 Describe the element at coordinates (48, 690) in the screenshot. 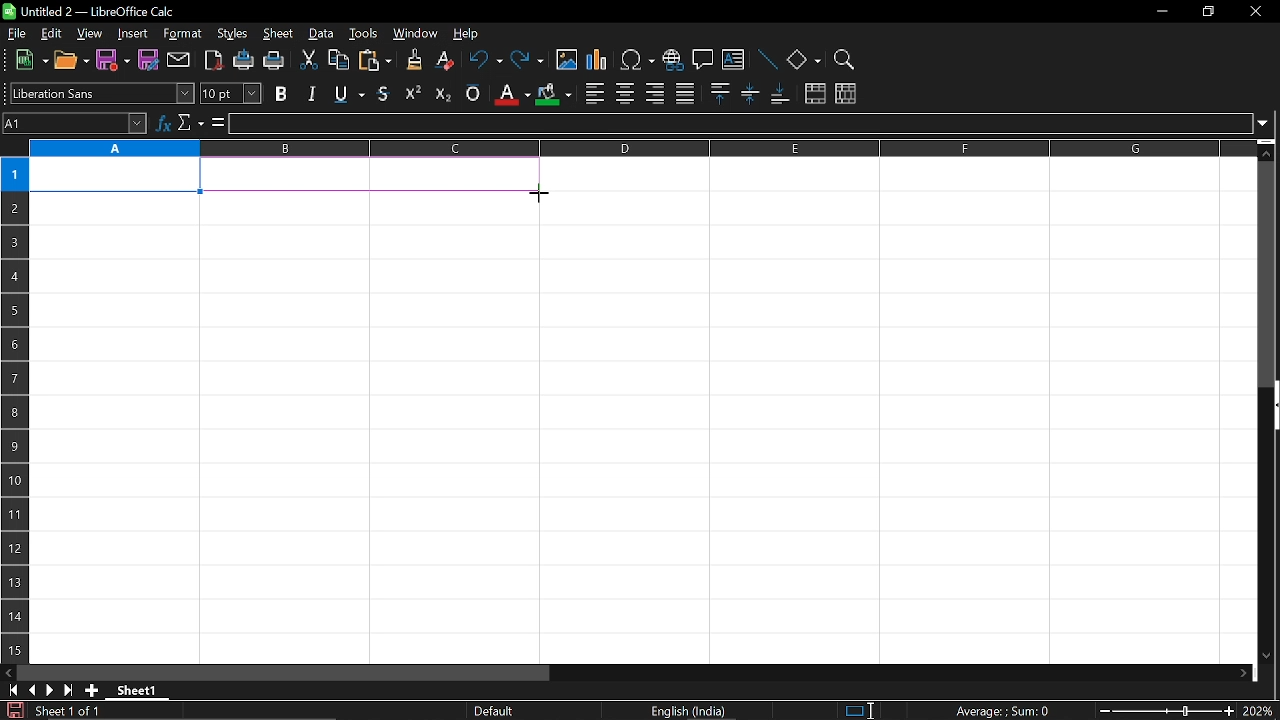

I see `next sheet` at that location.